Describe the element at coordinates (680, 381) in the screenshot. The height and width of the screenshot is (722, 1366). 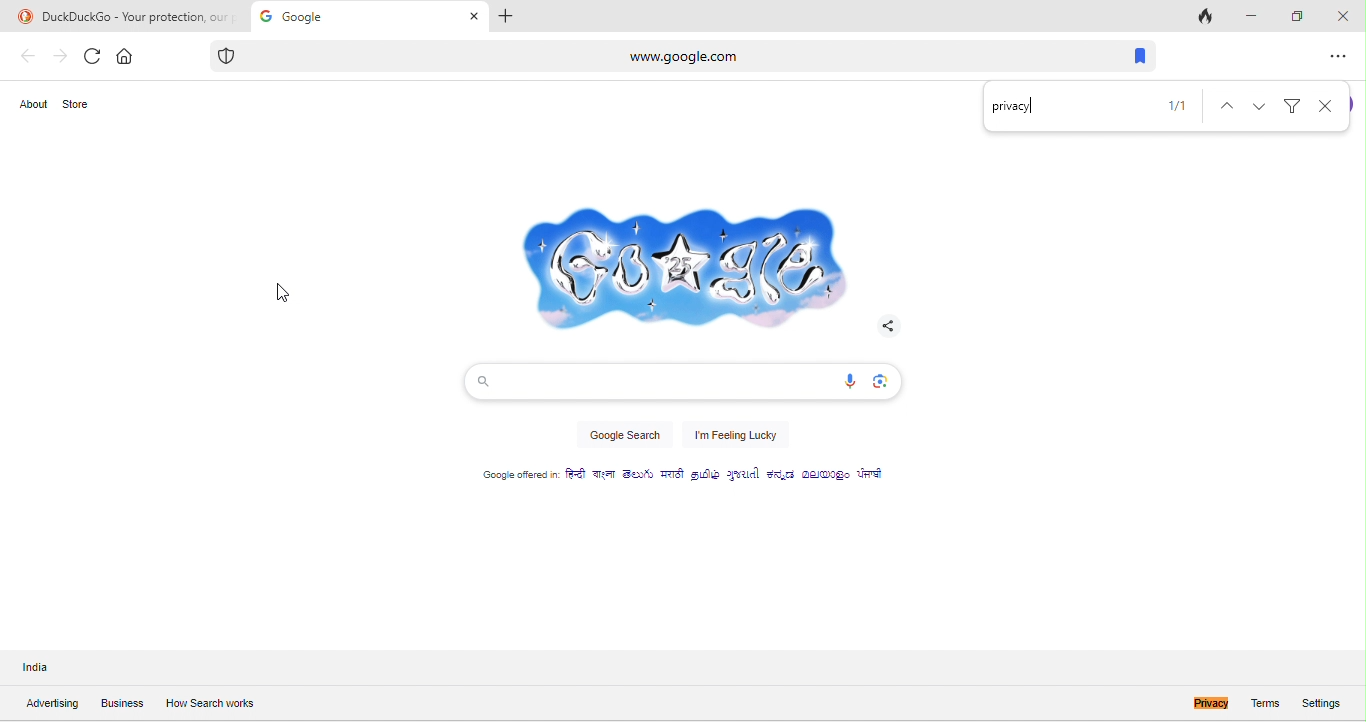
I see `search bar` at that location.